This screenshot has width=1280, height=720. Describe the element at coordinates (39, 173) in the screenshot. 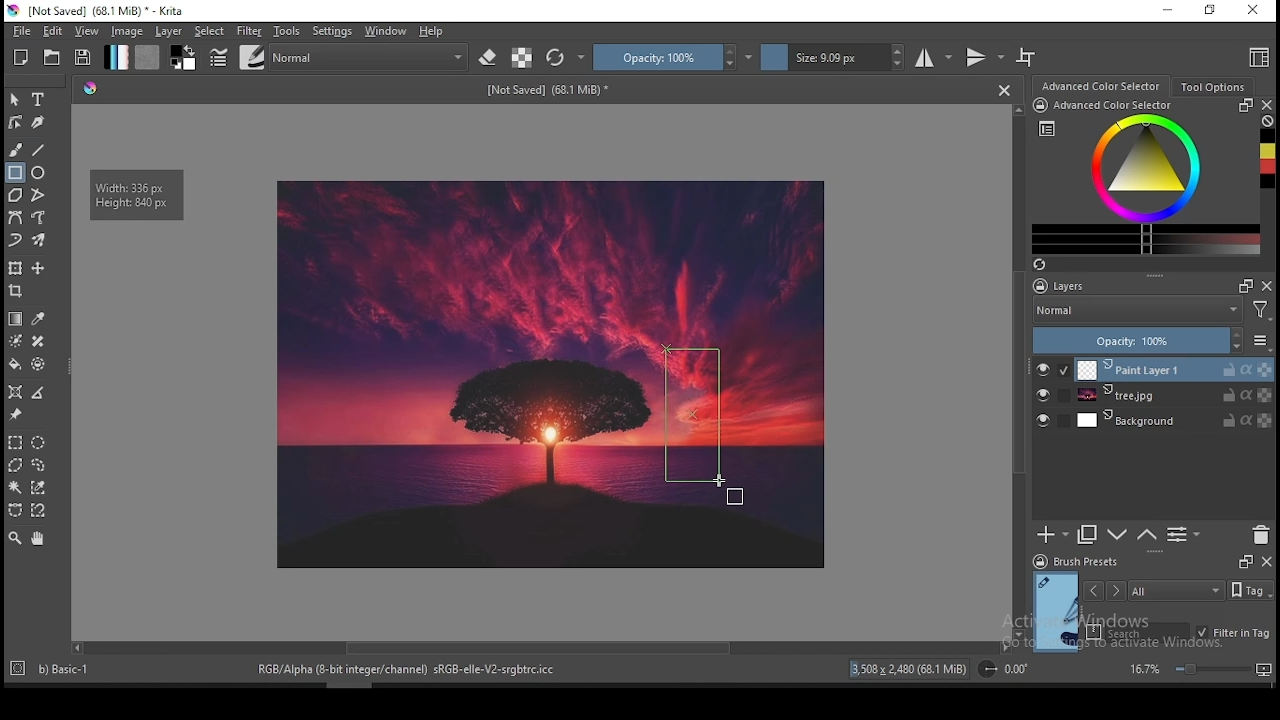

I see `ellipse tool` at that location.